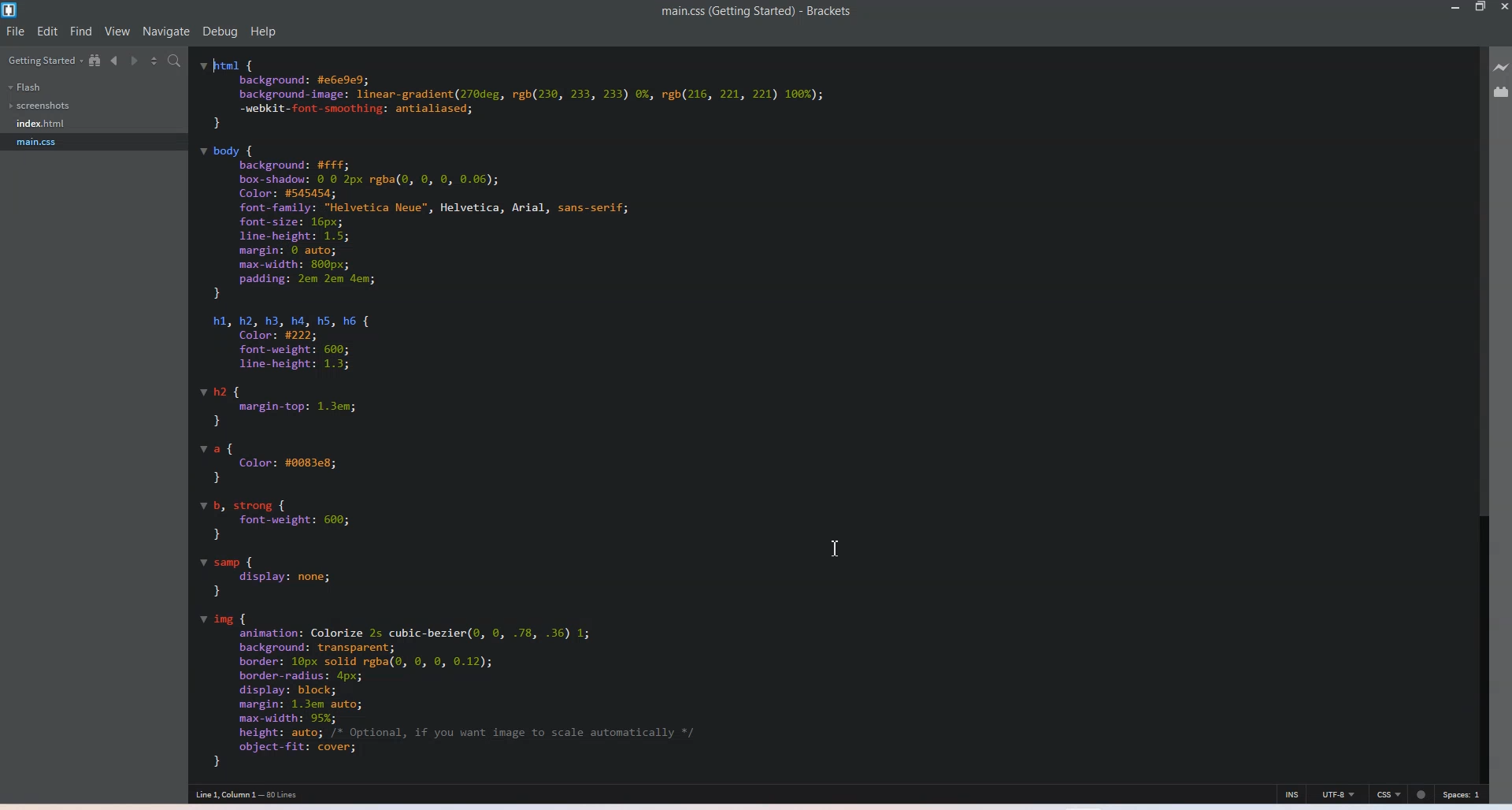  What do you see at coordinates (1389, 793) in the screenshot?
I see `CSS` at bounding box center [1389, 793].